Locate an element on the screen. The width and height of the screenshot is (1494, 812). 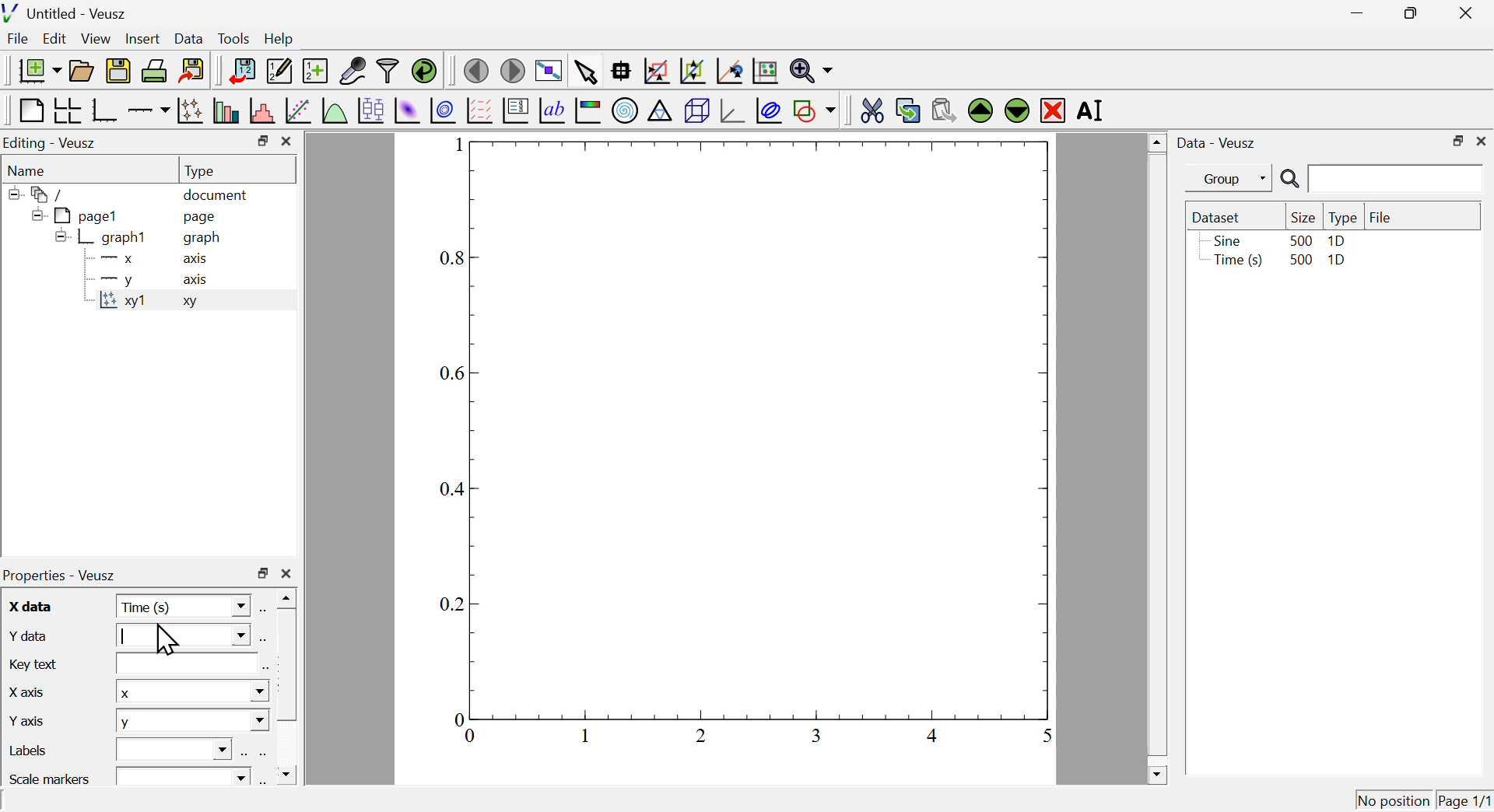
tools is located at coordinates (235, 37).